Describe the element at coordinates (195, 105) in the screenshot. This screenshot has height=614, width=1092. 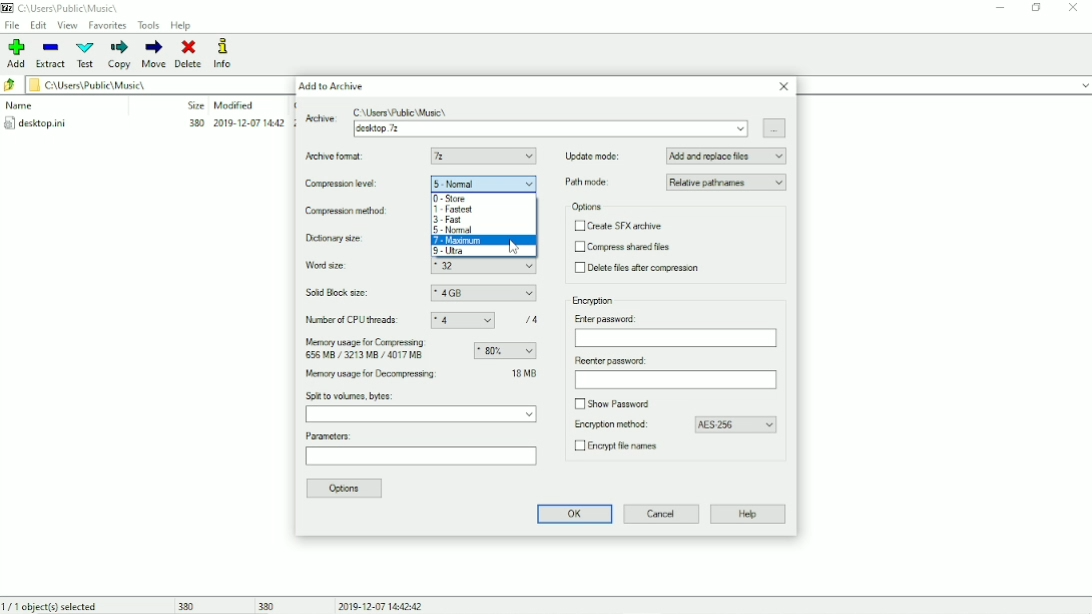
I see `Size` at that location.